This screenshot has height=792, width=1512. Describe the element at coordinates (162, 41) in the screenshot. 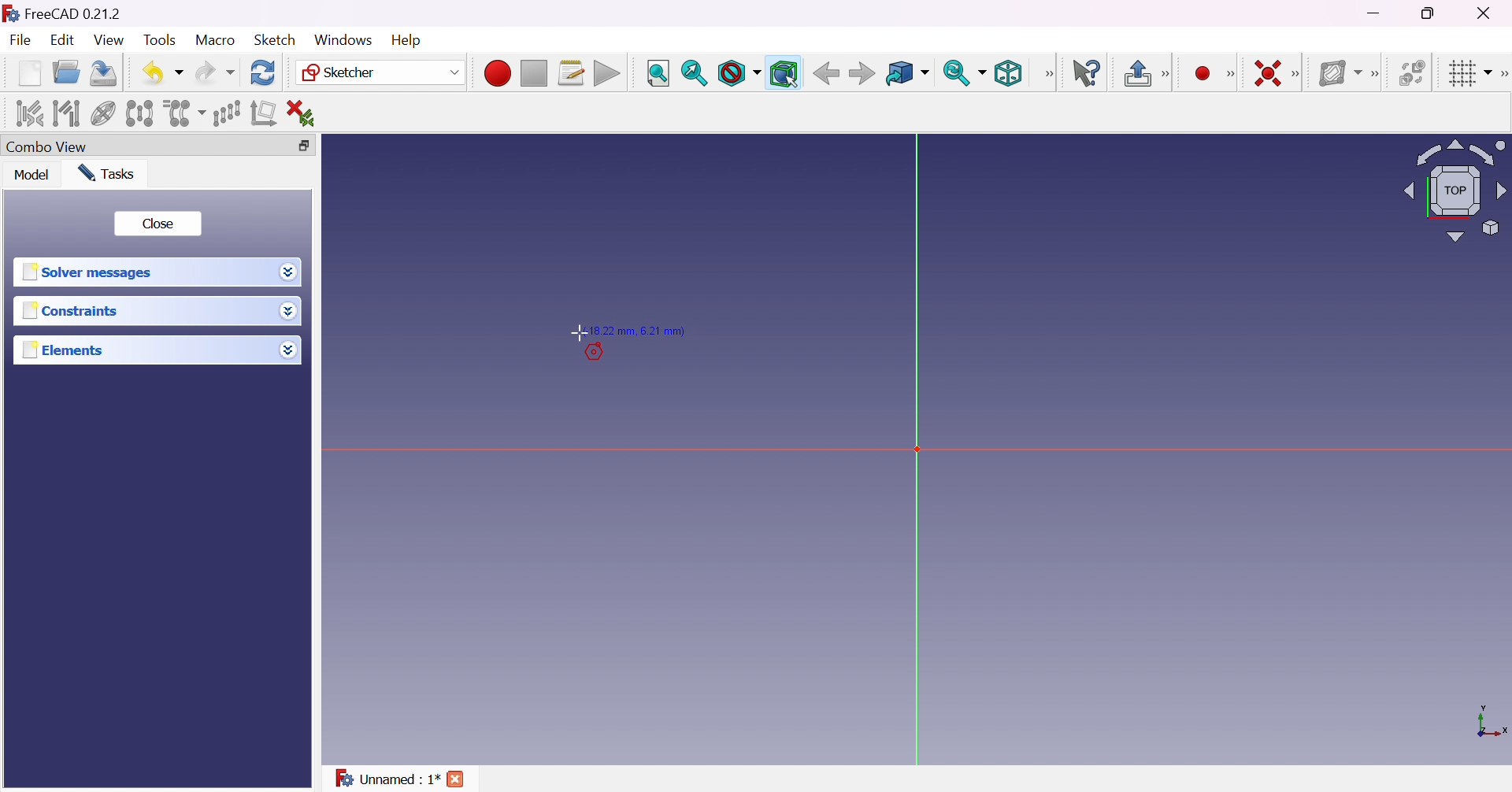

I see `Tools` at that location.